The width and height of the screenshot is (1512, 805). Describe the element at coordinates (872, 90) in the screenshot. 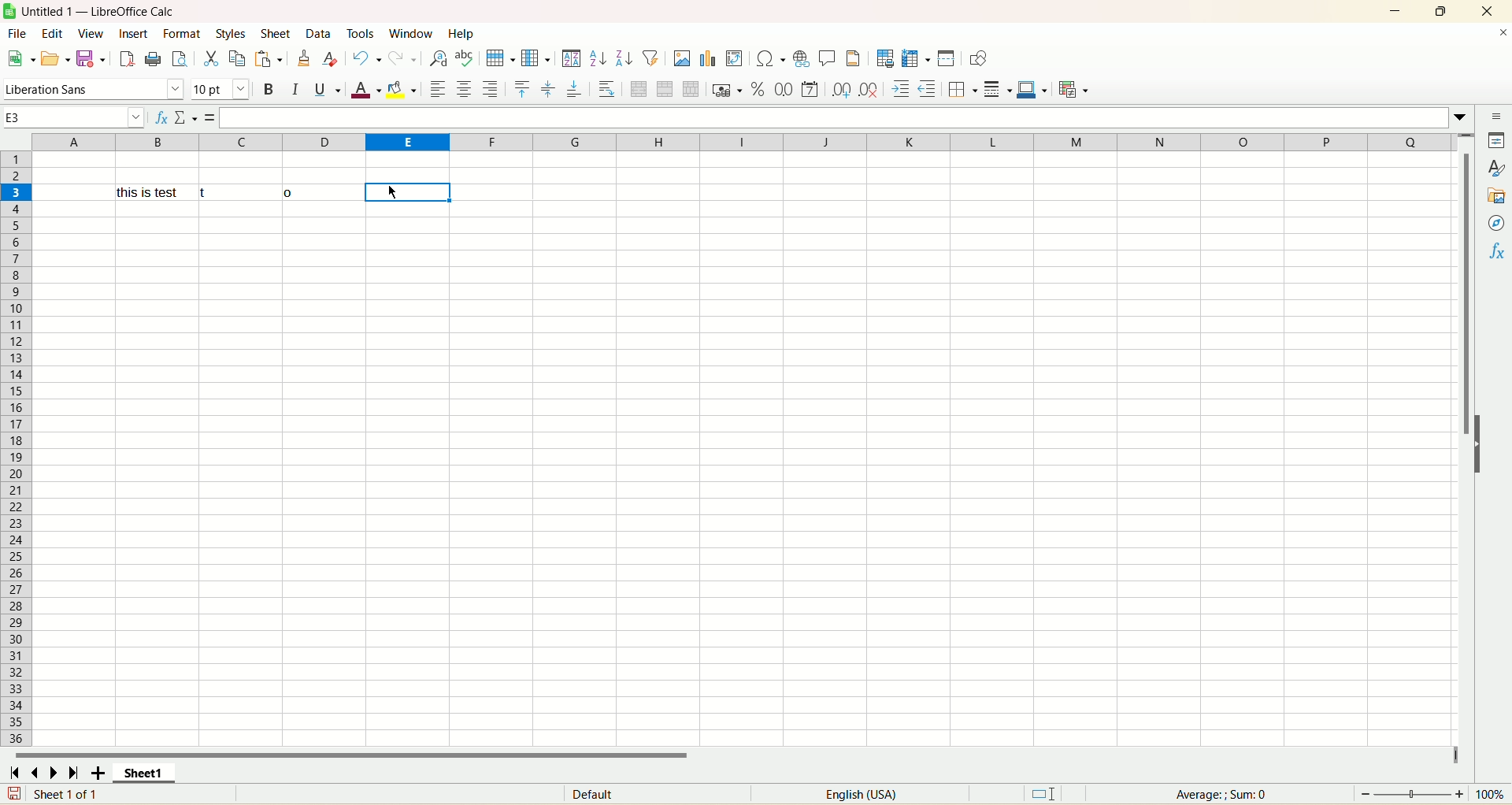

I see `remove decimal place` at that location.